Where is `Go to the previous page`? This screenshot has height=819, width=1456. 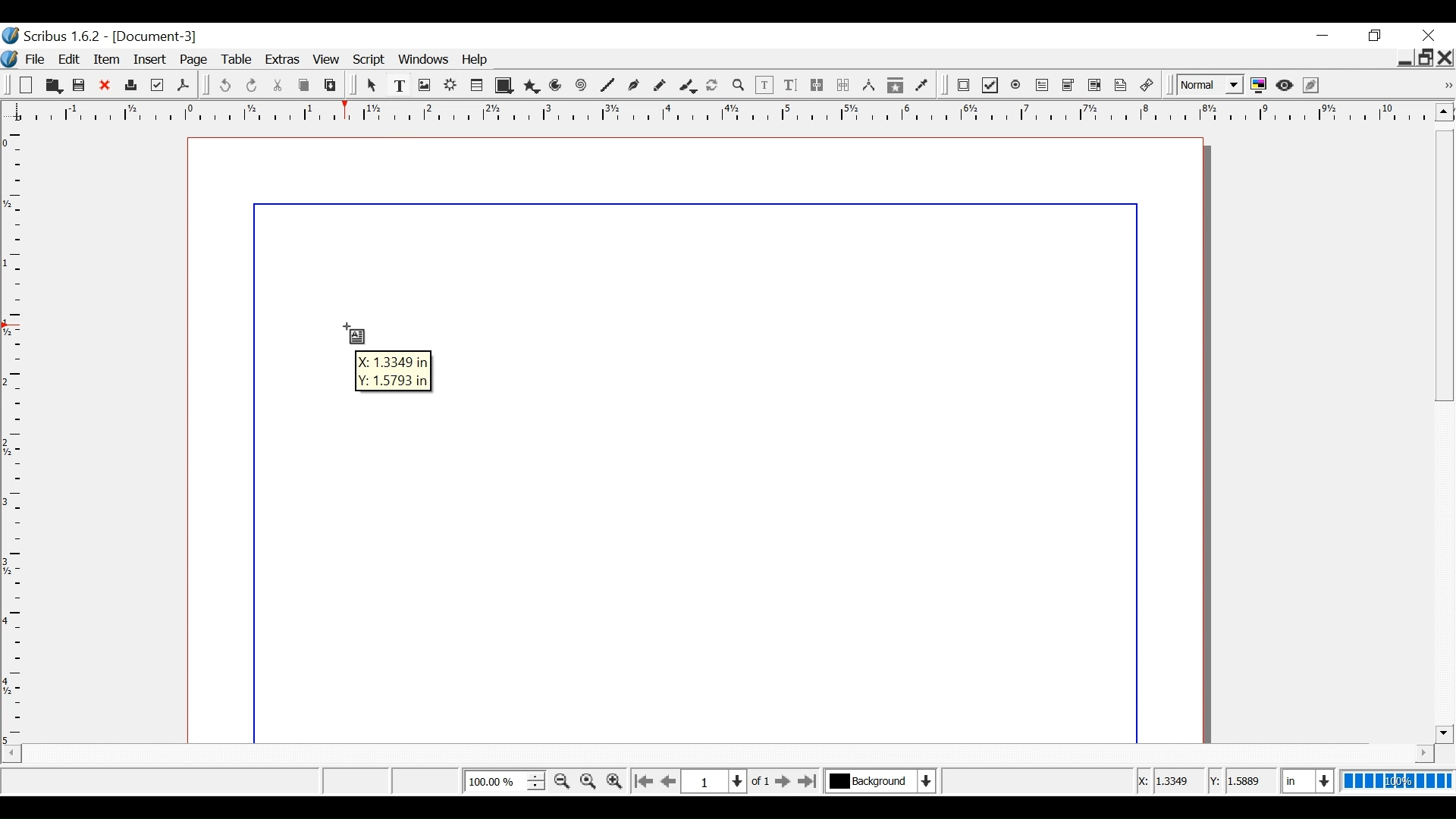
Go to the previous page is located at coordinates (670, 780).